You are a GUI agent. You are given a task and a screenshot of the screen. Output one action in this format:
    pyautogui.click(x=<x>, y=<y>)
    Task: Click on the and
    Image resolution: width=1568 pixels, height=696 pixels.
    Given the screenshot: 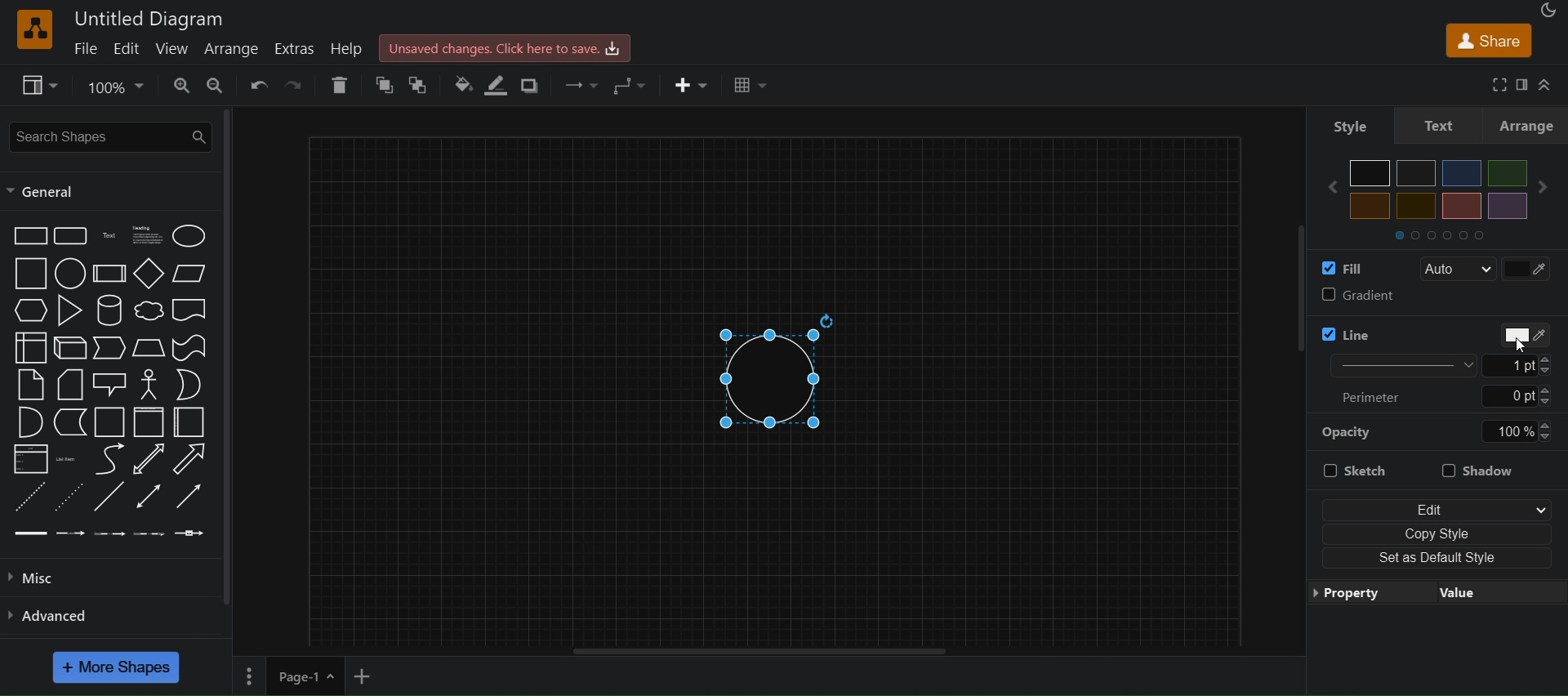 What is the action you would take?
    pyautogui.click(x=29, y=424)
    